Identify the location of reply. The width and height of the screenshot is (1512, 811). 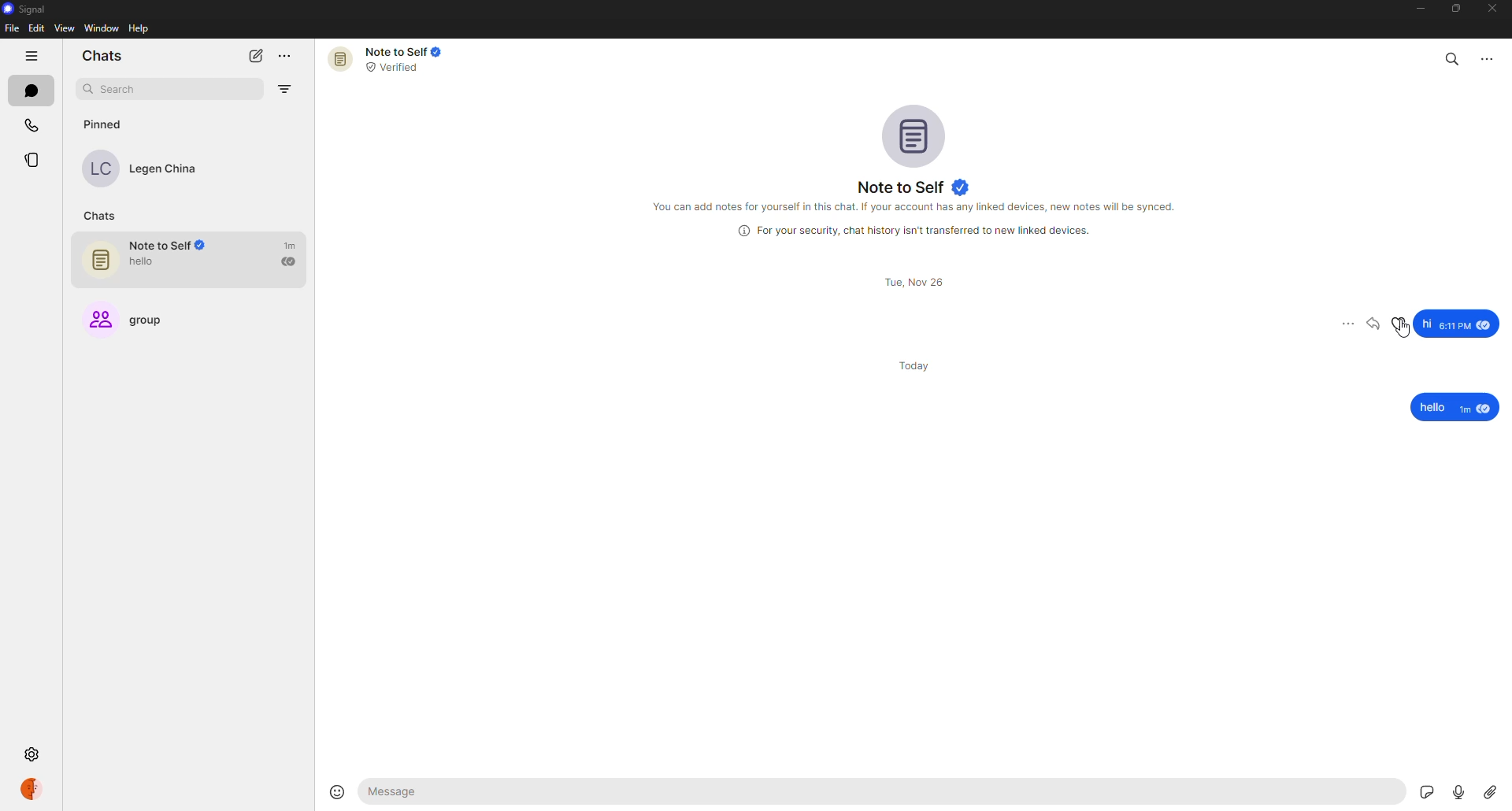
(1376, 324).